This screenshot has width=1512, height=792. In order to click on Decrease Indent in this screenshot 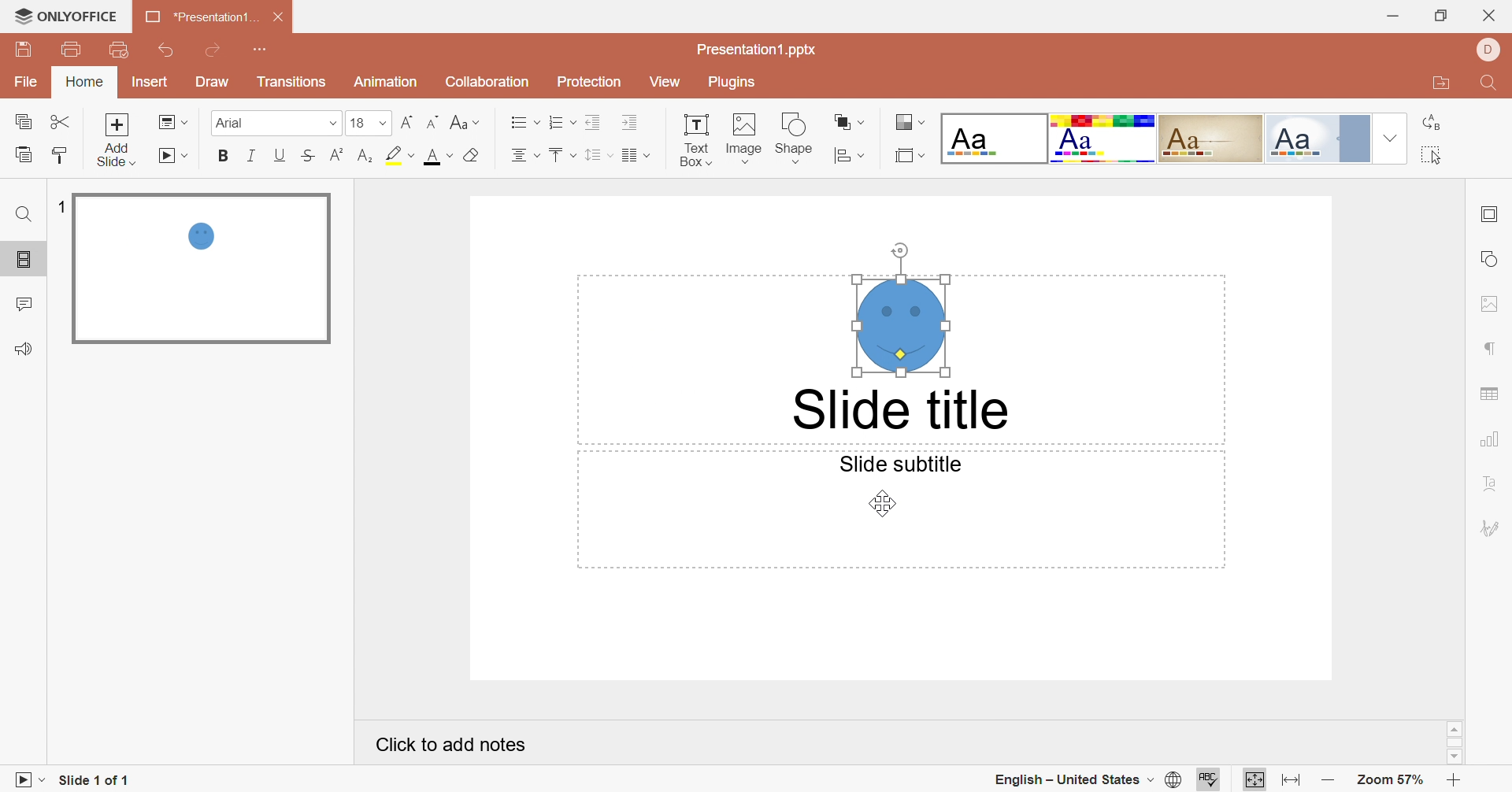, I will do `click(596, 121)`.